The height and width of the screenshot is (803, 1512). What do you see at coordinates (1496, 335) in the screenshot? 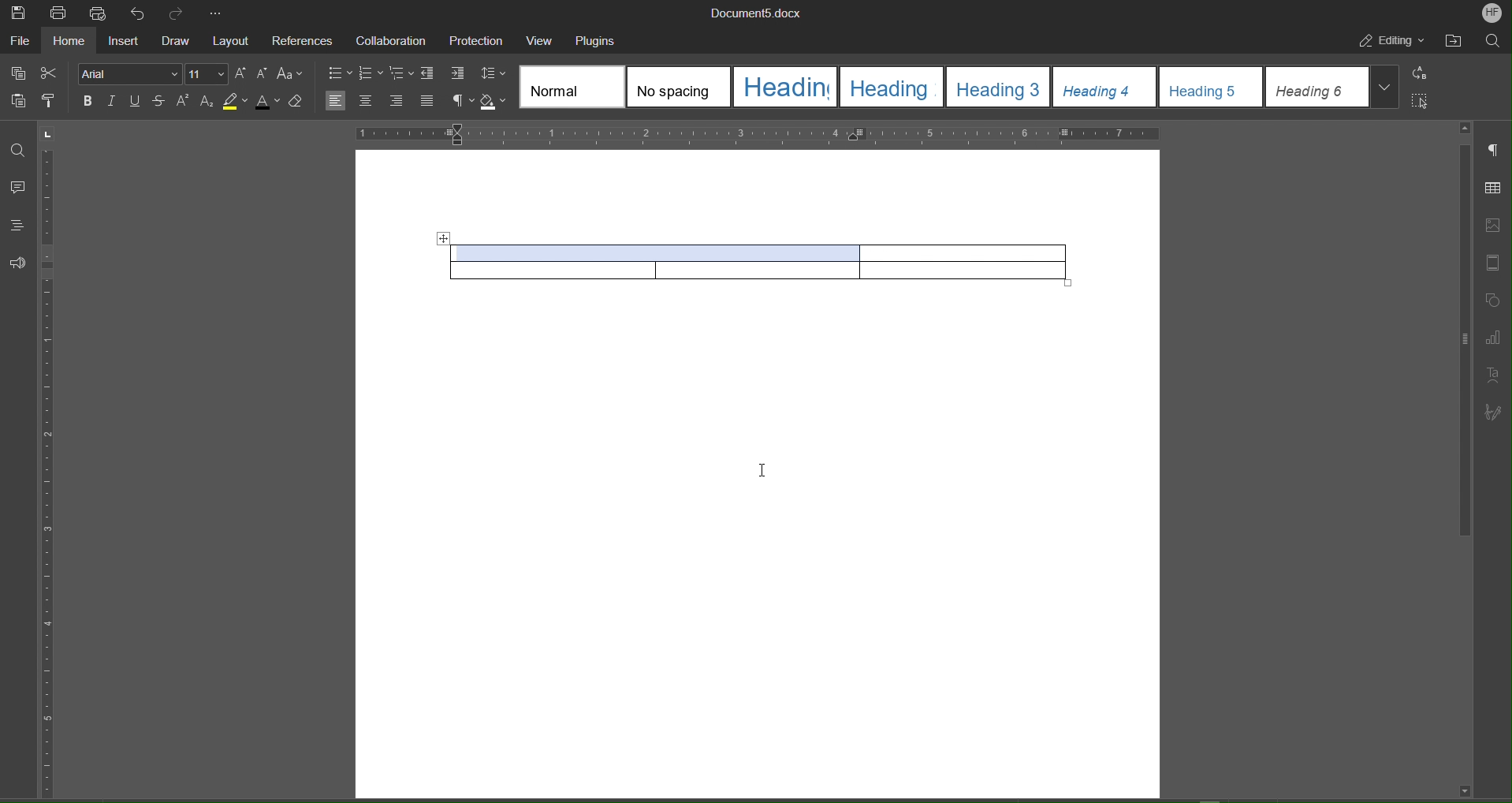
I see `Graph Settings` at bounding box center [1496, 335].